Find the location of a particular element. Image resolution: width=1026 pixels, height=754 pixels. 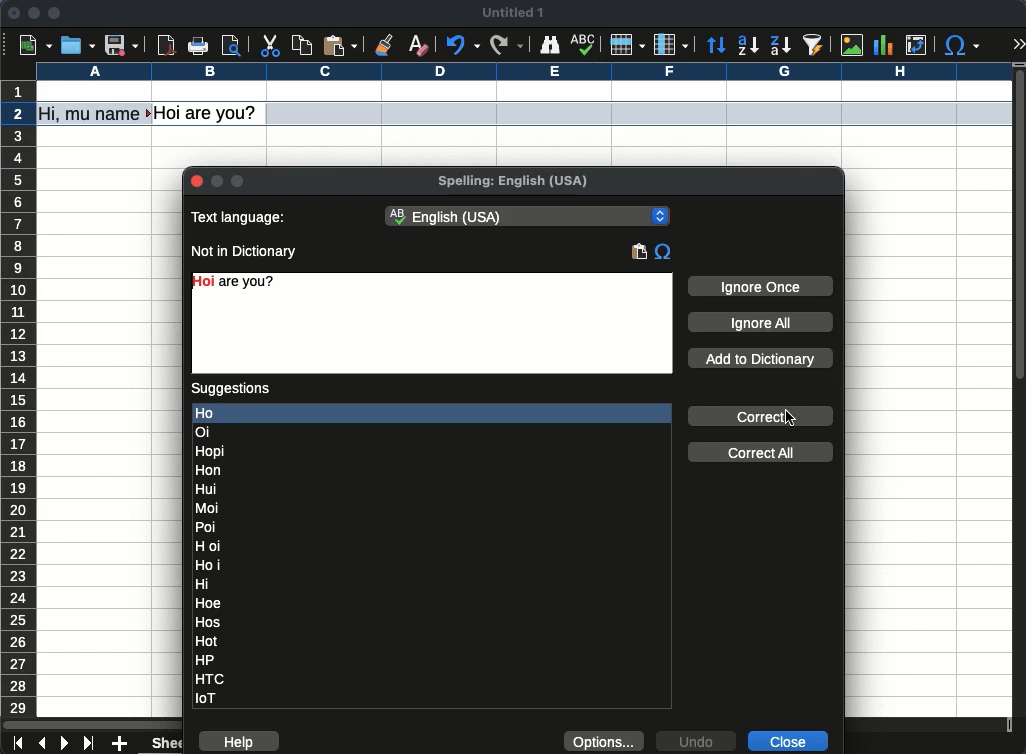

pivot table is located at coordinates (917, 45).